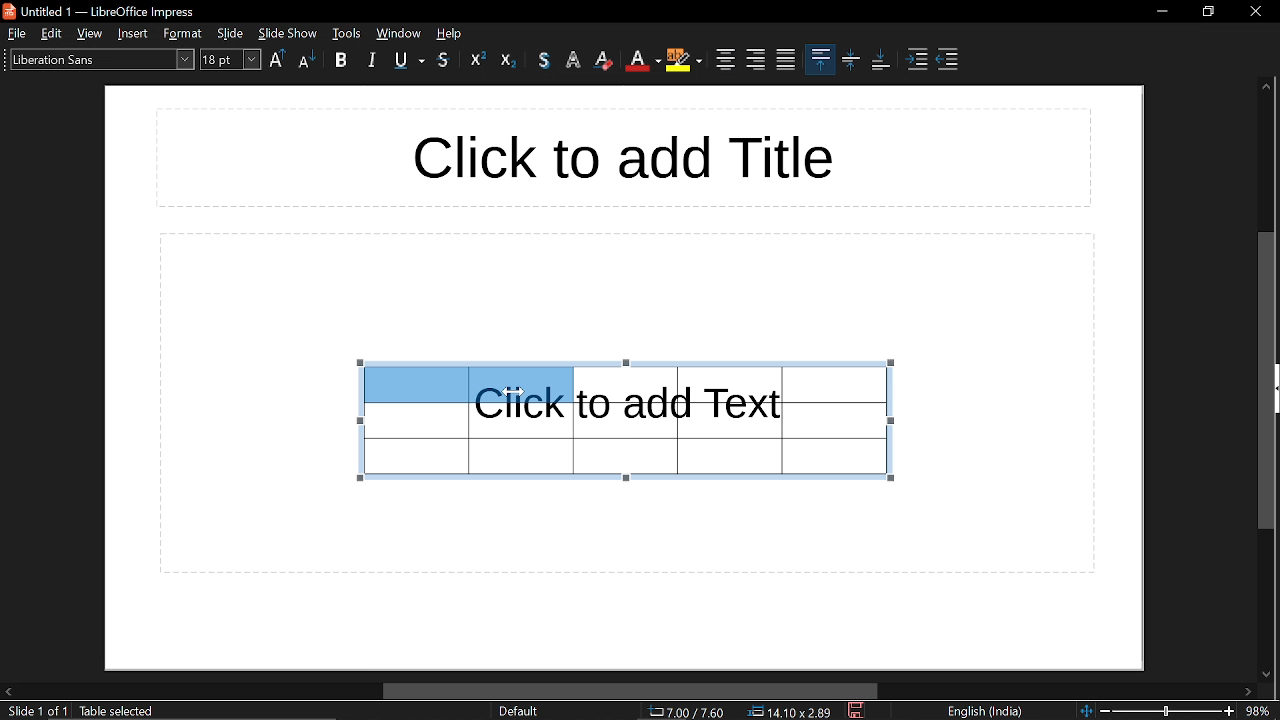  I want to click on zoom in, so click(1229, 711).